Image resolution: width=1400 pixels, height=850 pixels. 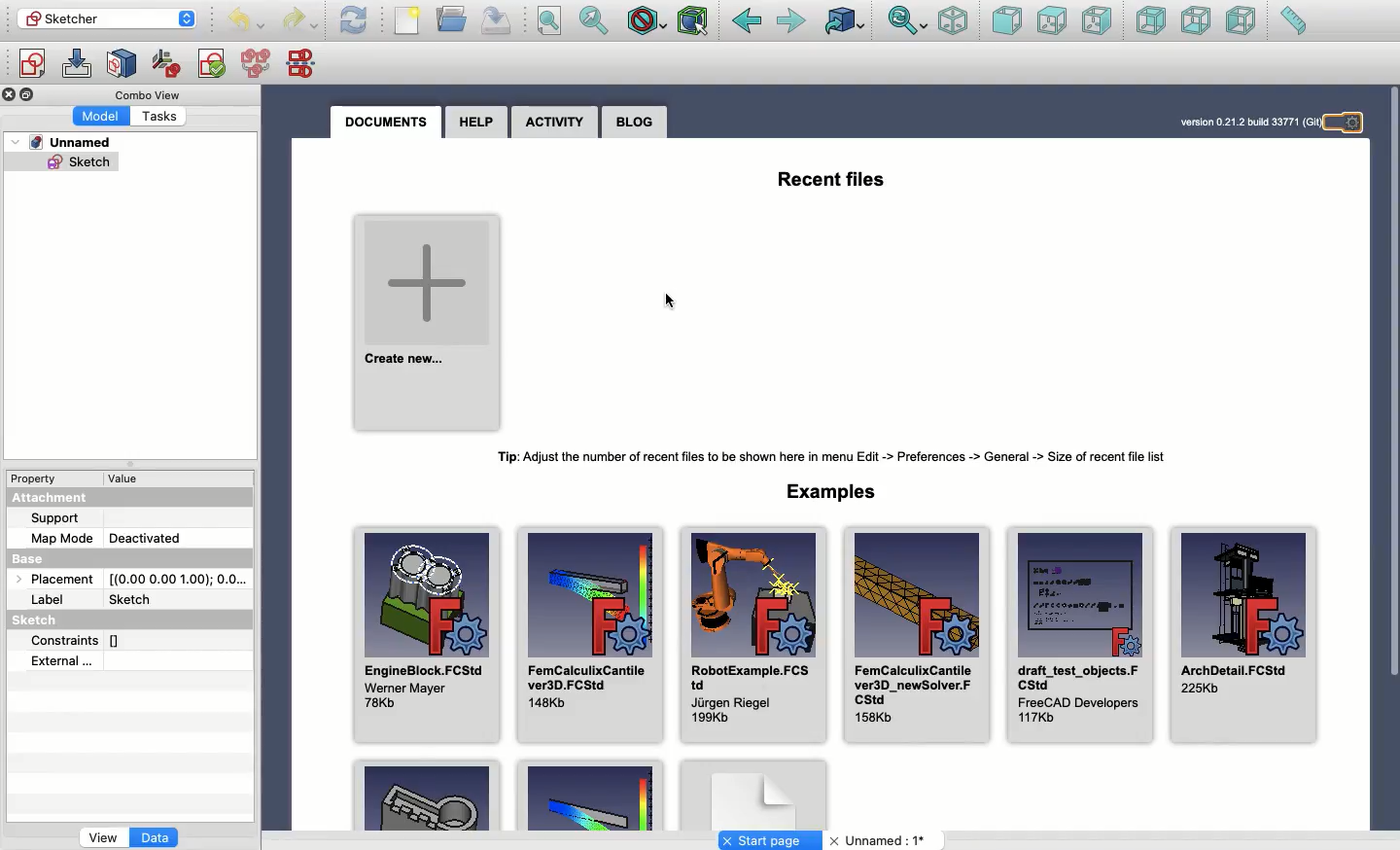 I want to click on Bounding box, so click(x=695, y=19).